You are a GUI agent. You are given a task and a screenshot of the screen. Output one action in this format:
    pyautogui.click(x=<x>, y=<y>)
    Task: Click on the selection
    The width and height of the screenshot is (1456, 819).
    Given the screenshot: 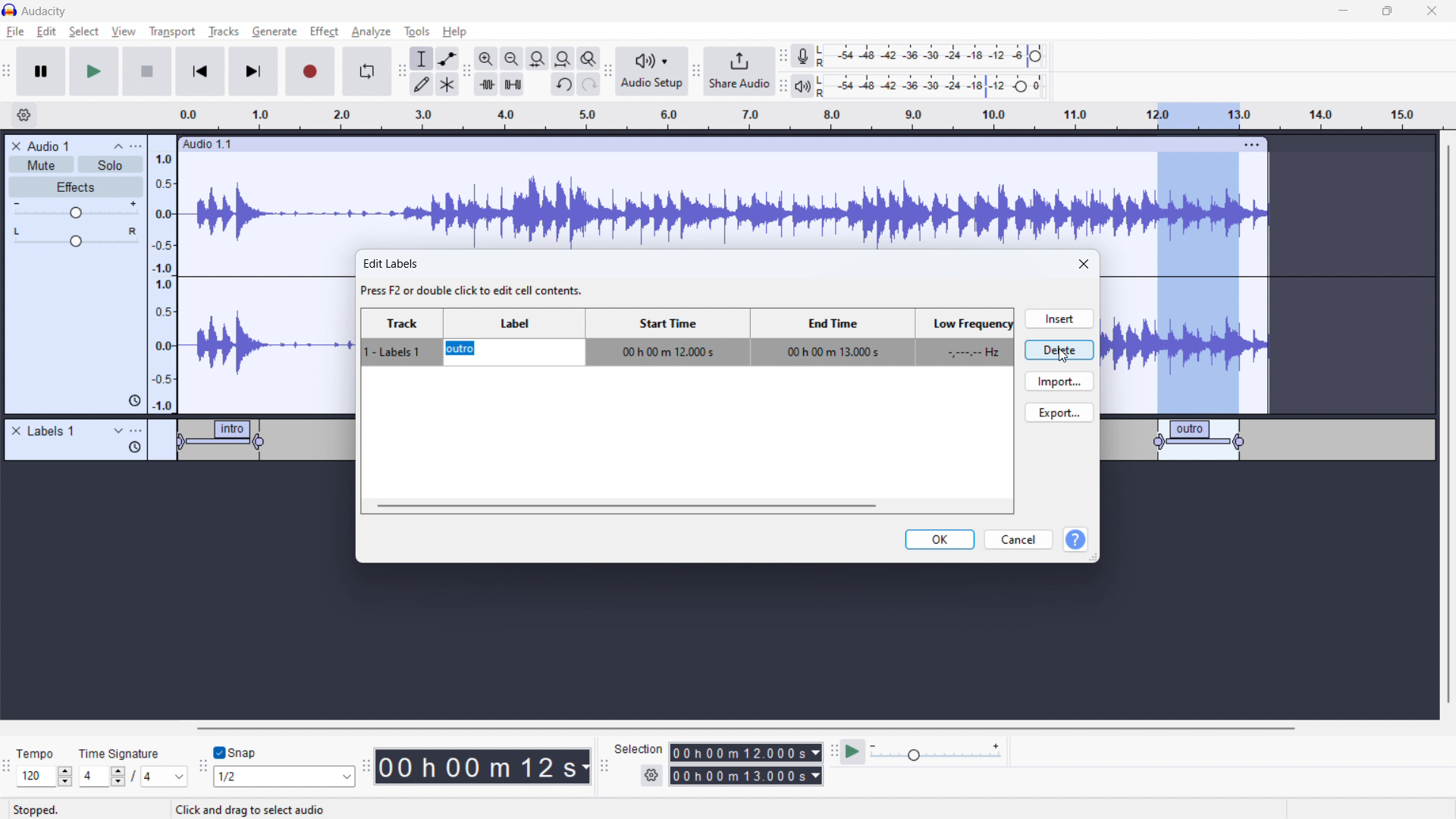 What is the action you would take?
    pyautogui.click(x=639, y=749)
    